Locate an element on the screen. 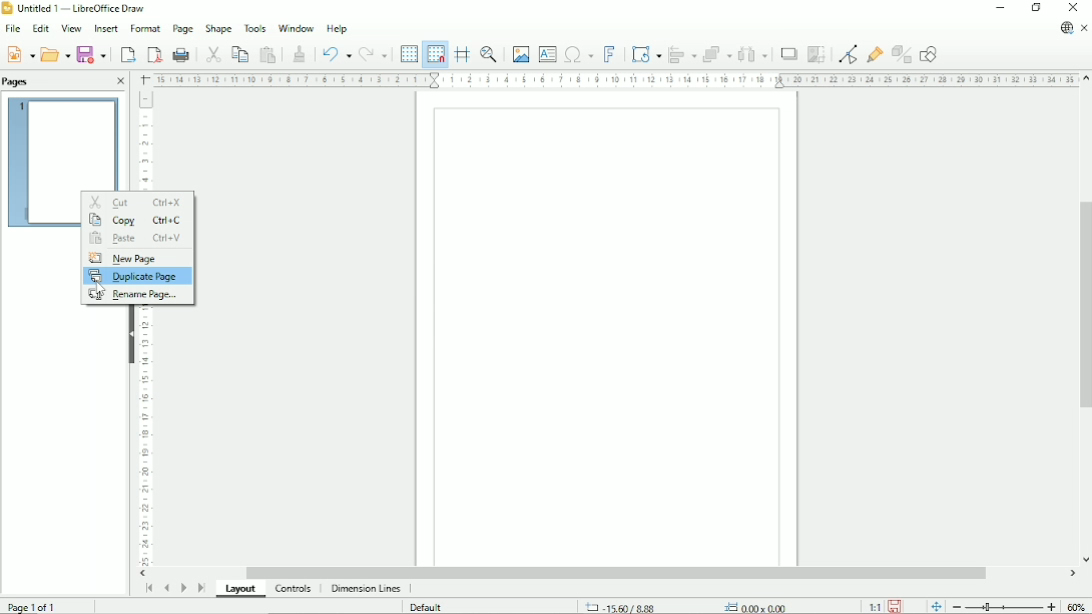  Insert fontwork text is located at coordinates (610, 53).